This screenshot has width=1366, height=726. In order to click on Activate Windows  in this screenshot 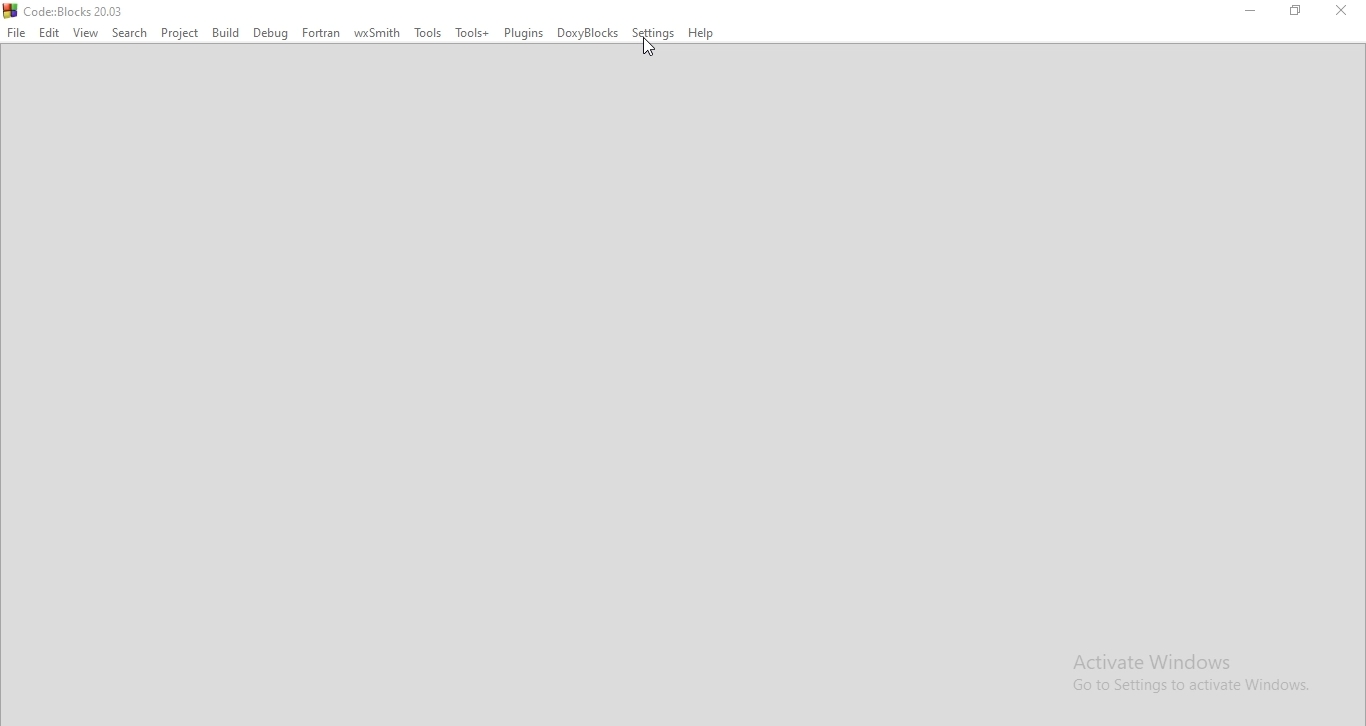, I will do `click(1196, 676)`.